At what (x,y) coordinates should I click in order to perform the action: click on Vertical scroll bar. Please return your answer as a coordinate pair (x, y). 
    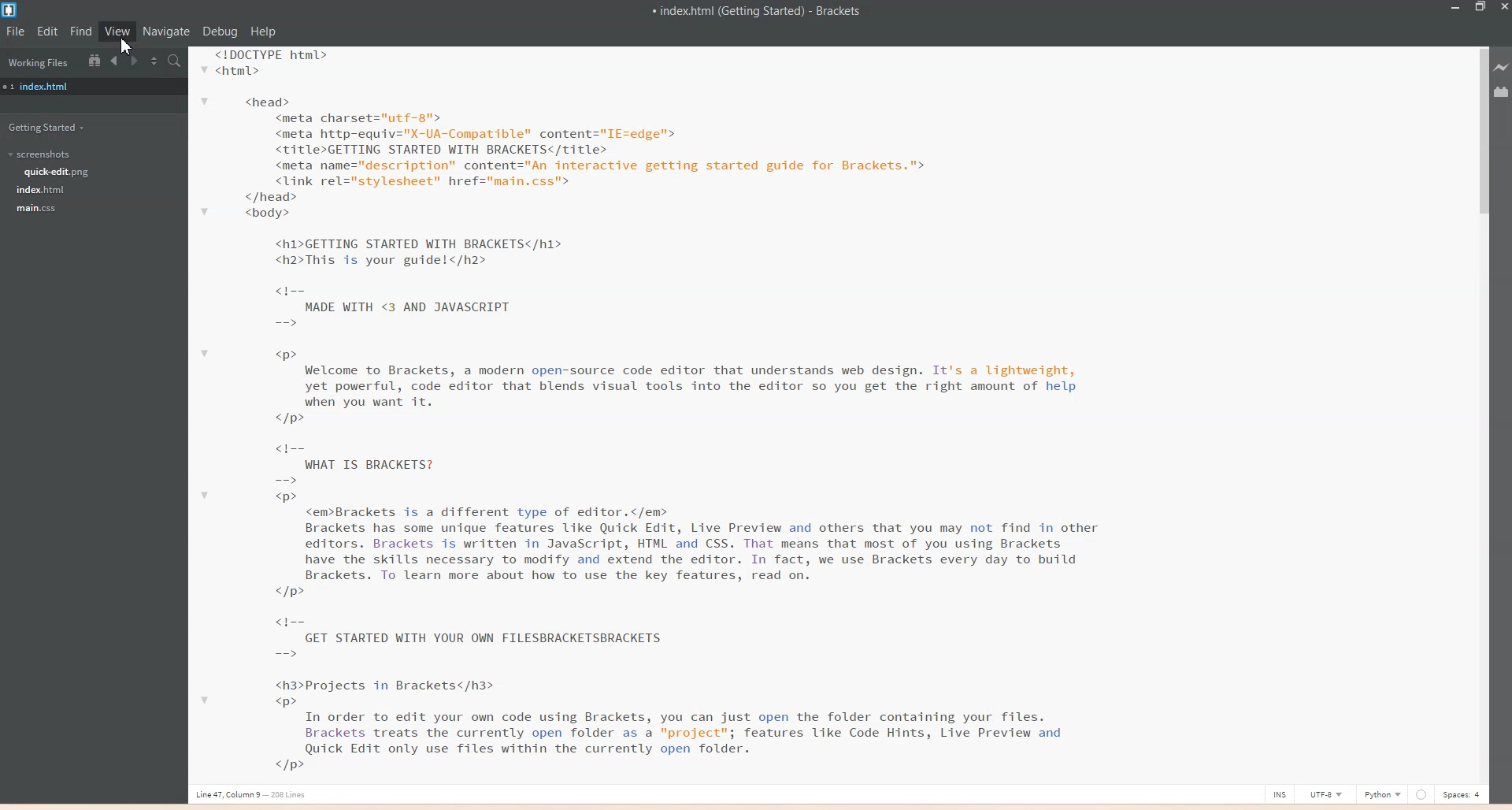
    Looking at the image, I should click on (1480, 414).